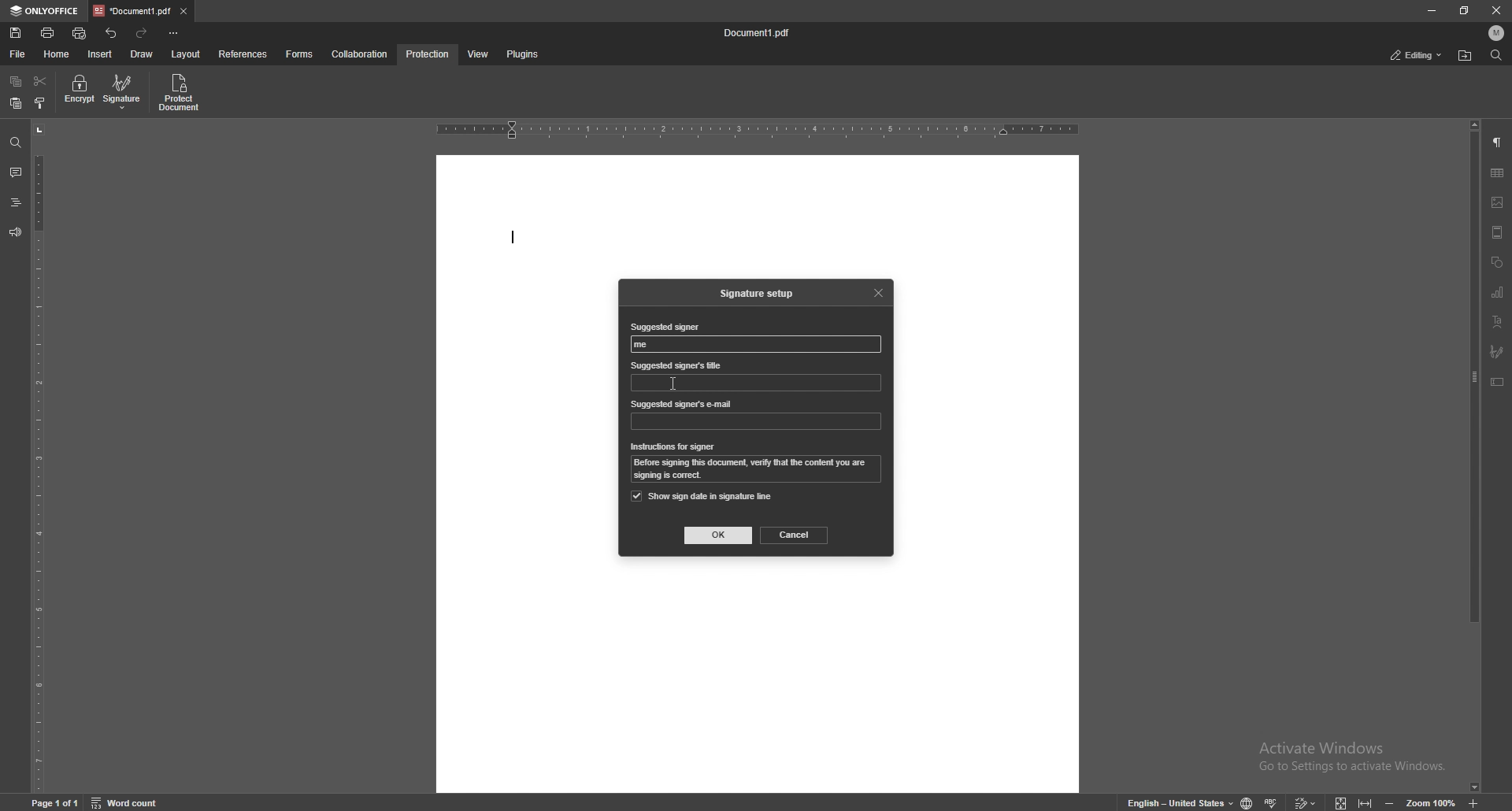 Image resolution: width=1512 pixels, height=811 pixels. Describe the element at coordinates (79, 91) in the screenshot. I see `encrypt` at that location.